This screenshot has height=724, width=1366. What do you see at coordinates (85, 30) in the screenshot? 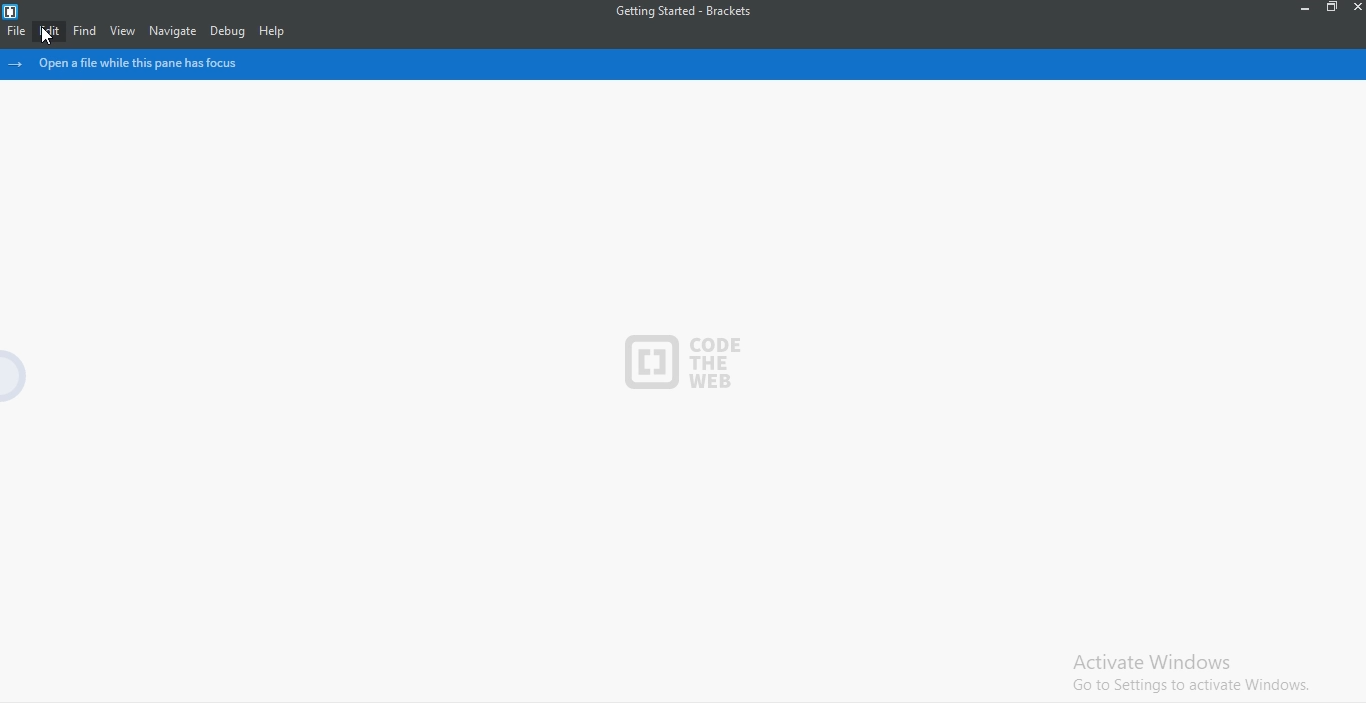
I see `find` at bounding box center [85, 30].